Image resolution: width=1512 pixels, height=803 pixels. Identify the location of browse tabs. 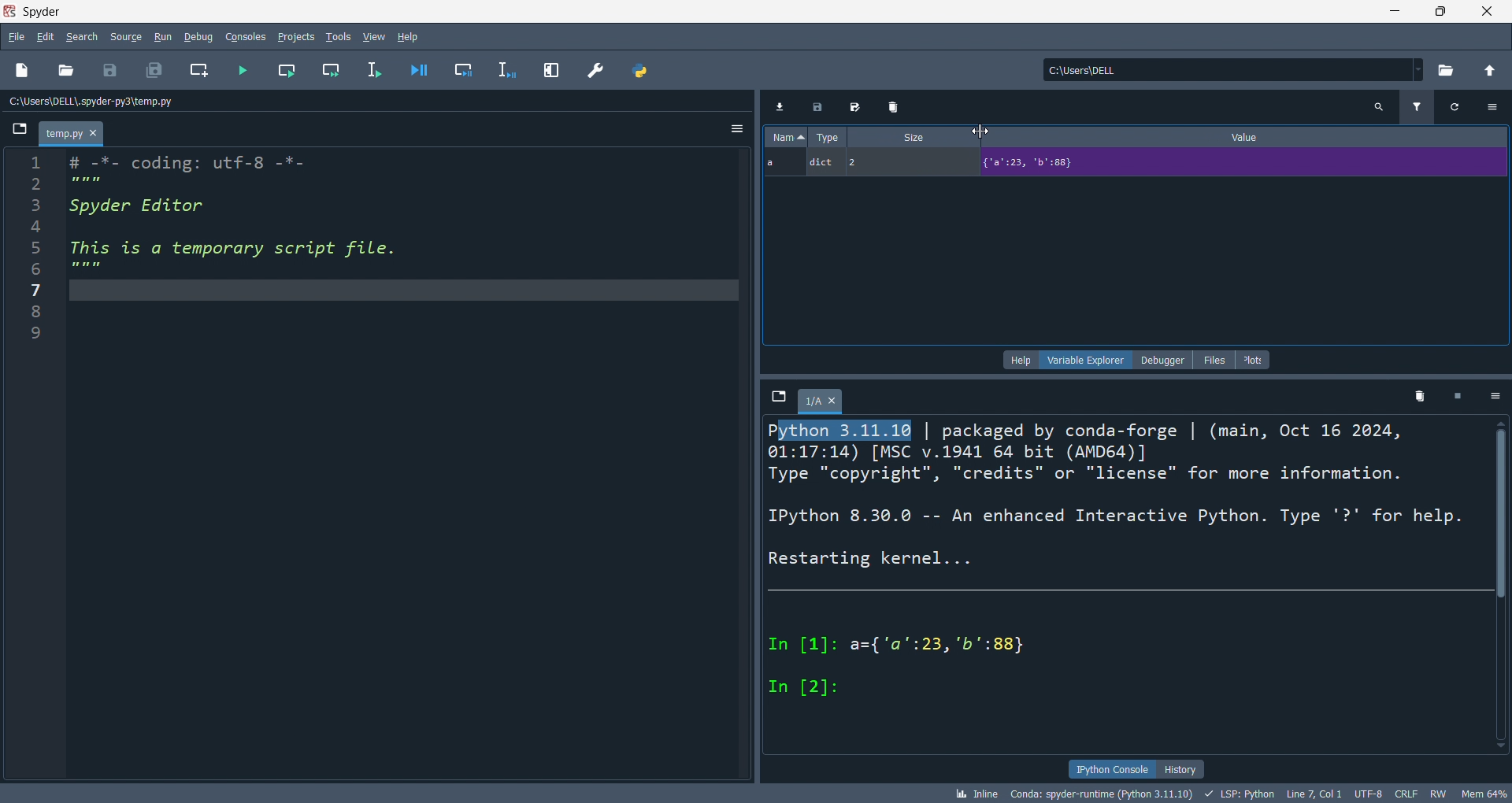
(775, 396).